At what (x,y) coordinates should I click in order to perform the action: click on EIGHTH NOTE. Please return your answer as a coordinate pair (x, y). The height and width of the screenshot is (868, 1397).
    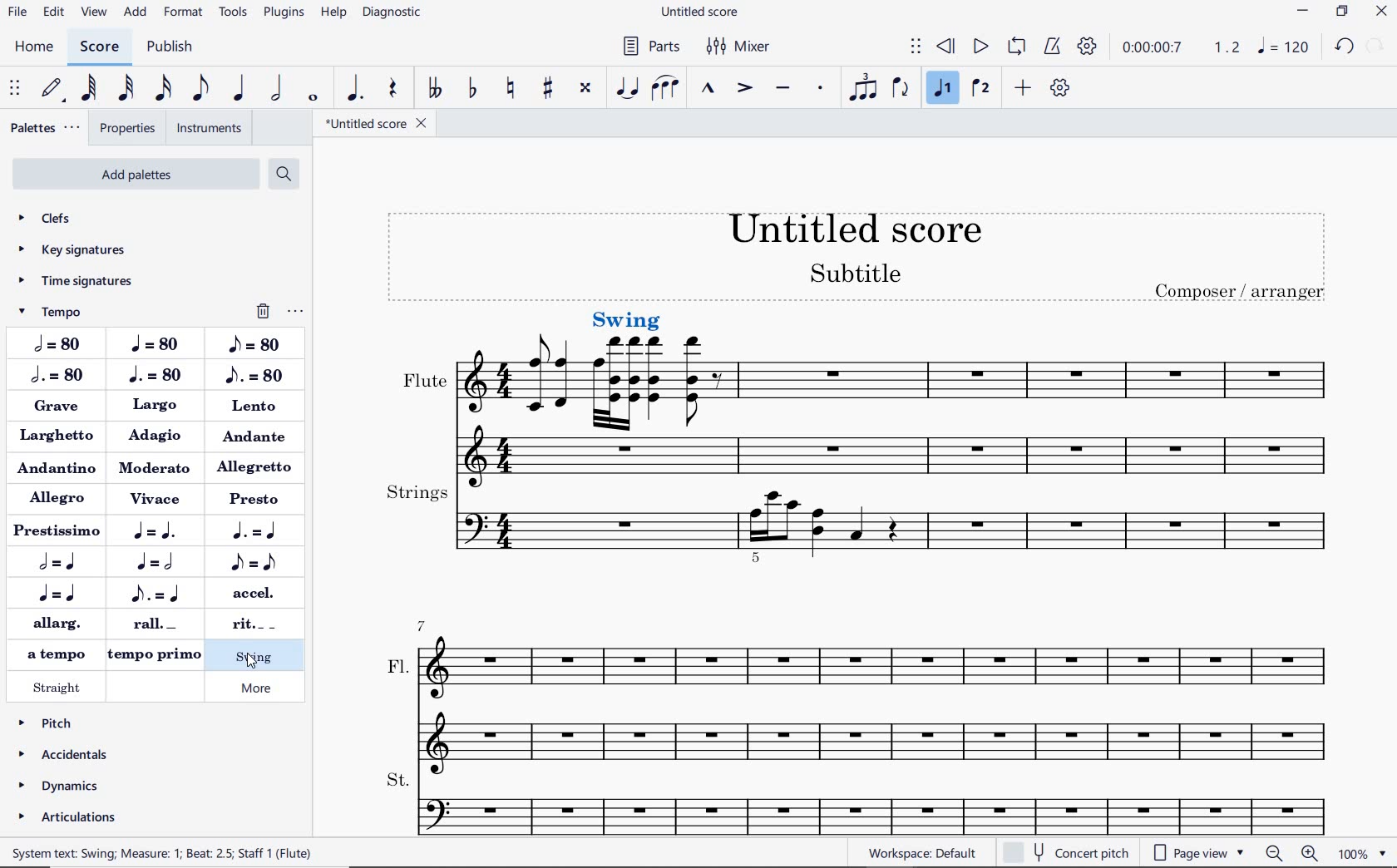
    Looking at the image, I should click on (200, 89).